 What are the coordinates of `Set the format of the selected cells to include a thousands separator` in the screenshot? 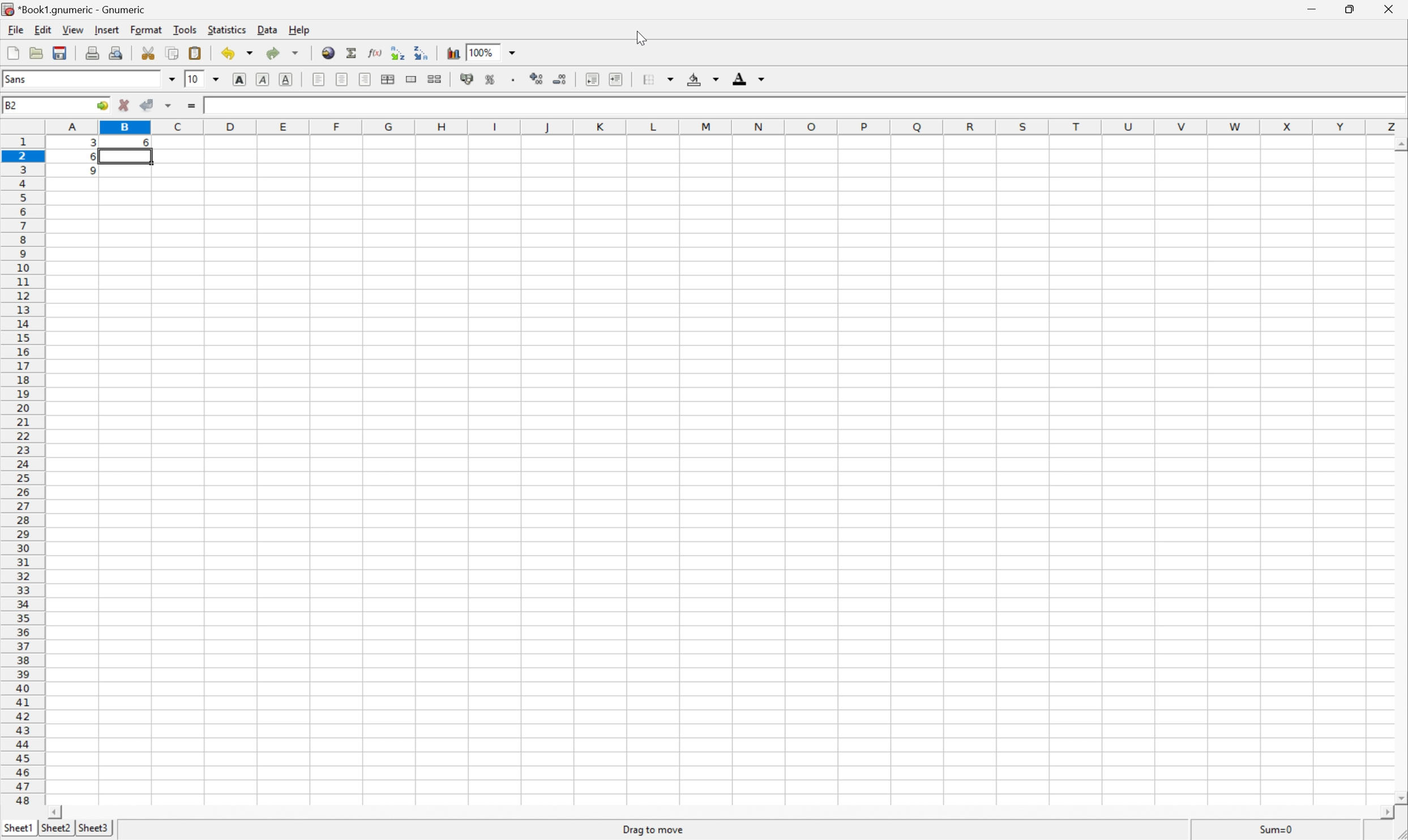 It's located at (513, 80).